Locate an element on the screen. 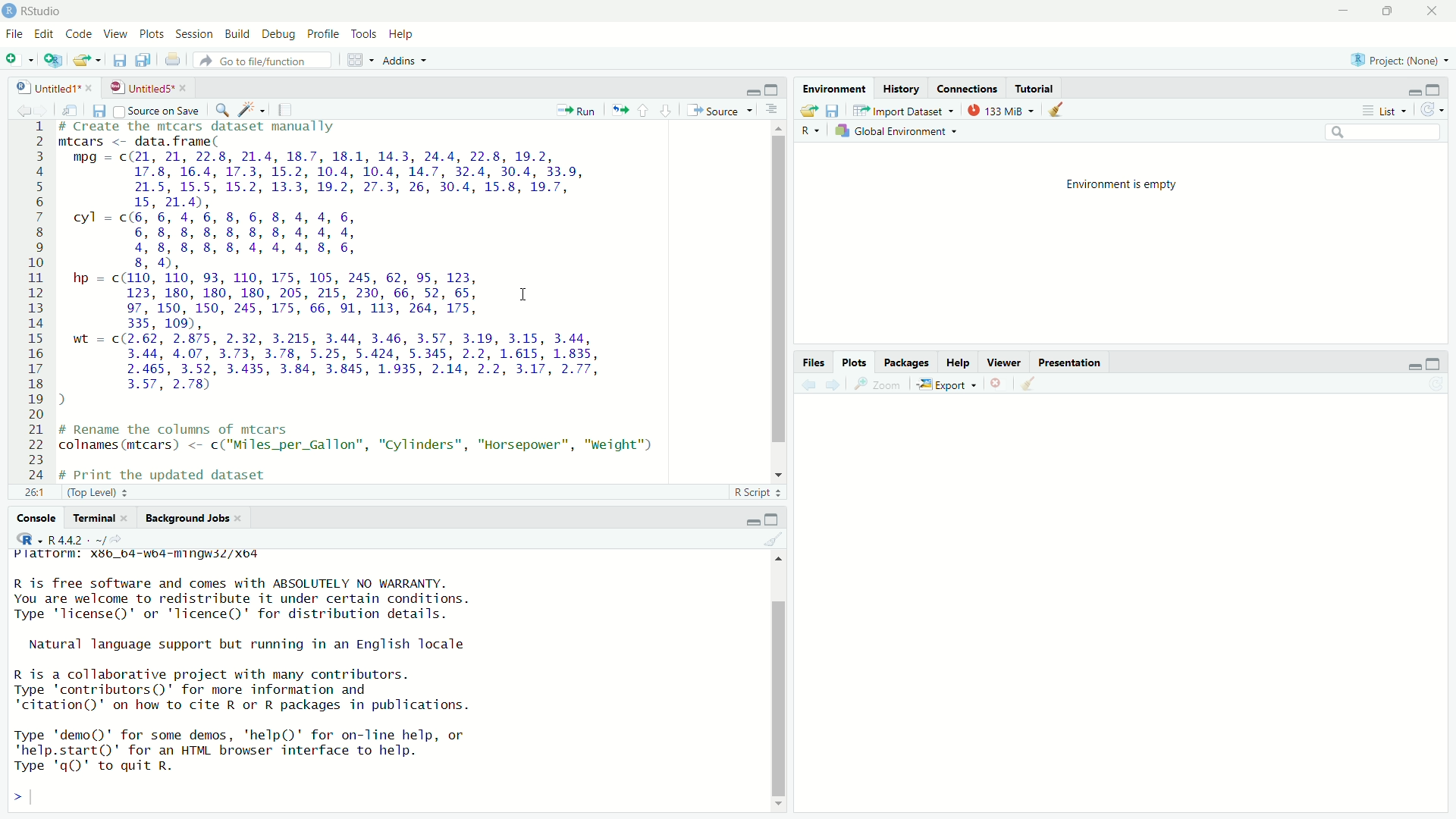 The image size is (1456, 819). save is located at coordinates (118, 60).